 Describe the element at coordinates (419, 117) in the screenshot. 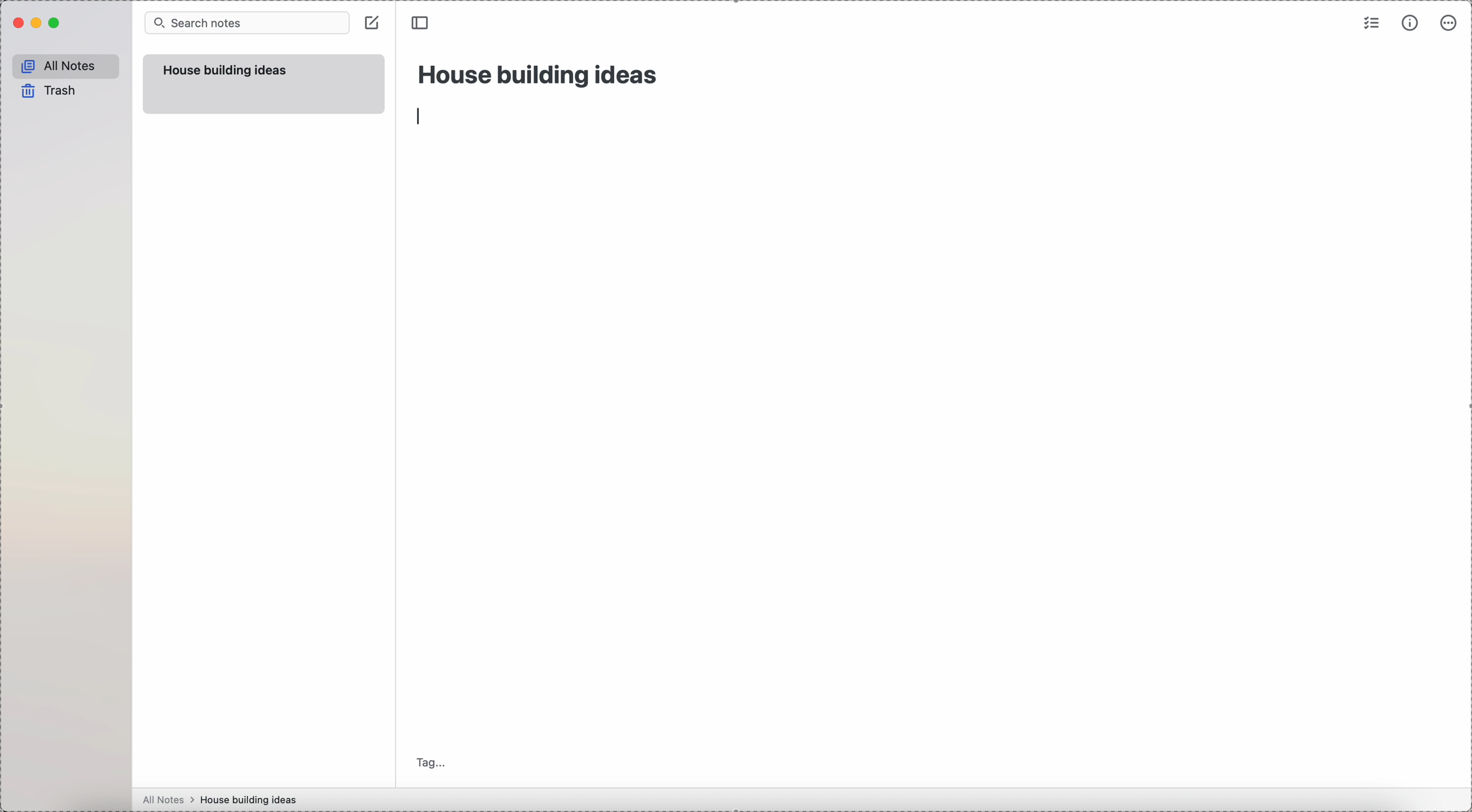

I see `enter` at that location.